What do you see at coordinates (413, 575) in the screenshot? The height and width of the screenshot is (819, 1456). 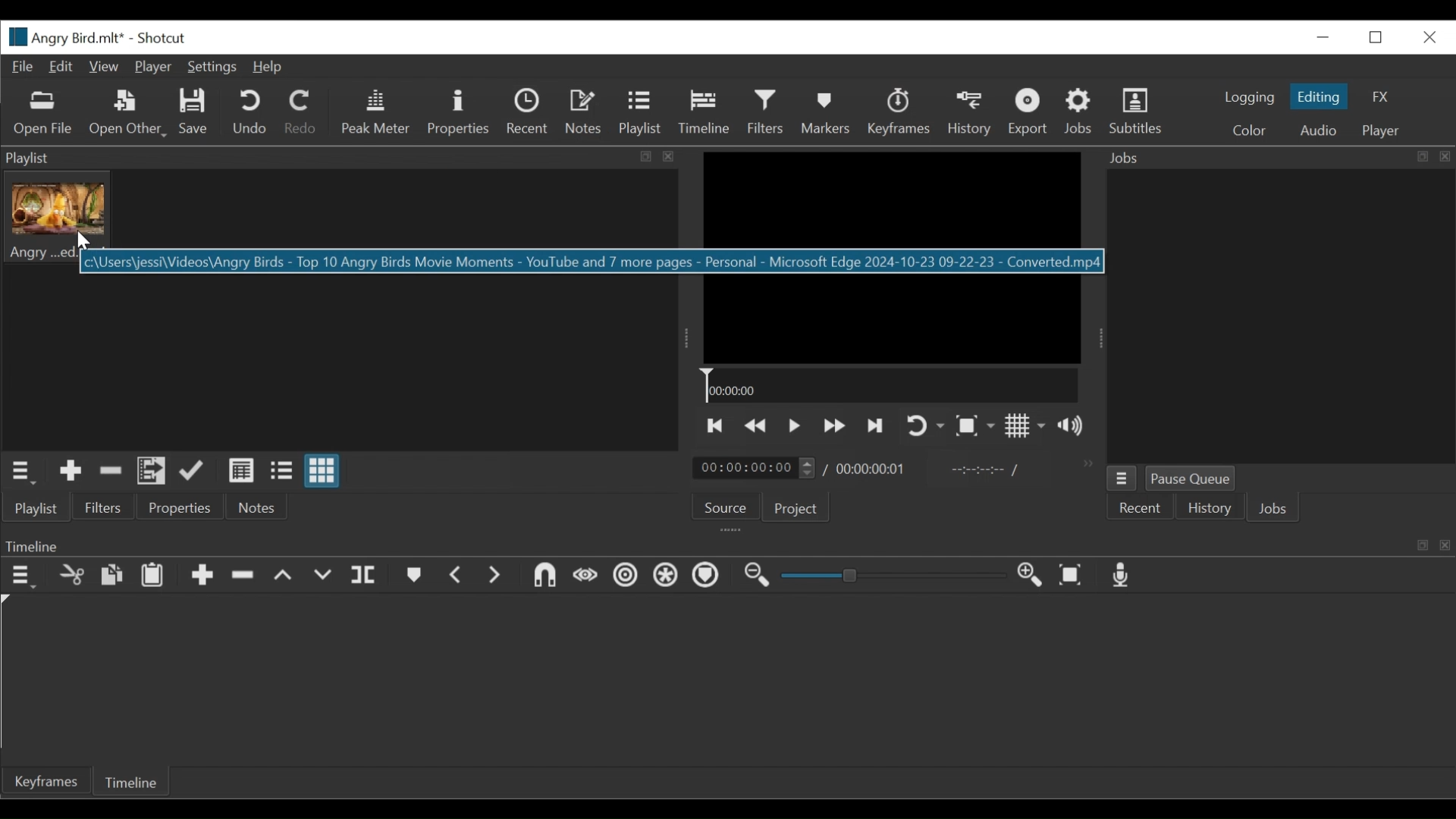 I see `Markers` at bounding box center [413, 575].